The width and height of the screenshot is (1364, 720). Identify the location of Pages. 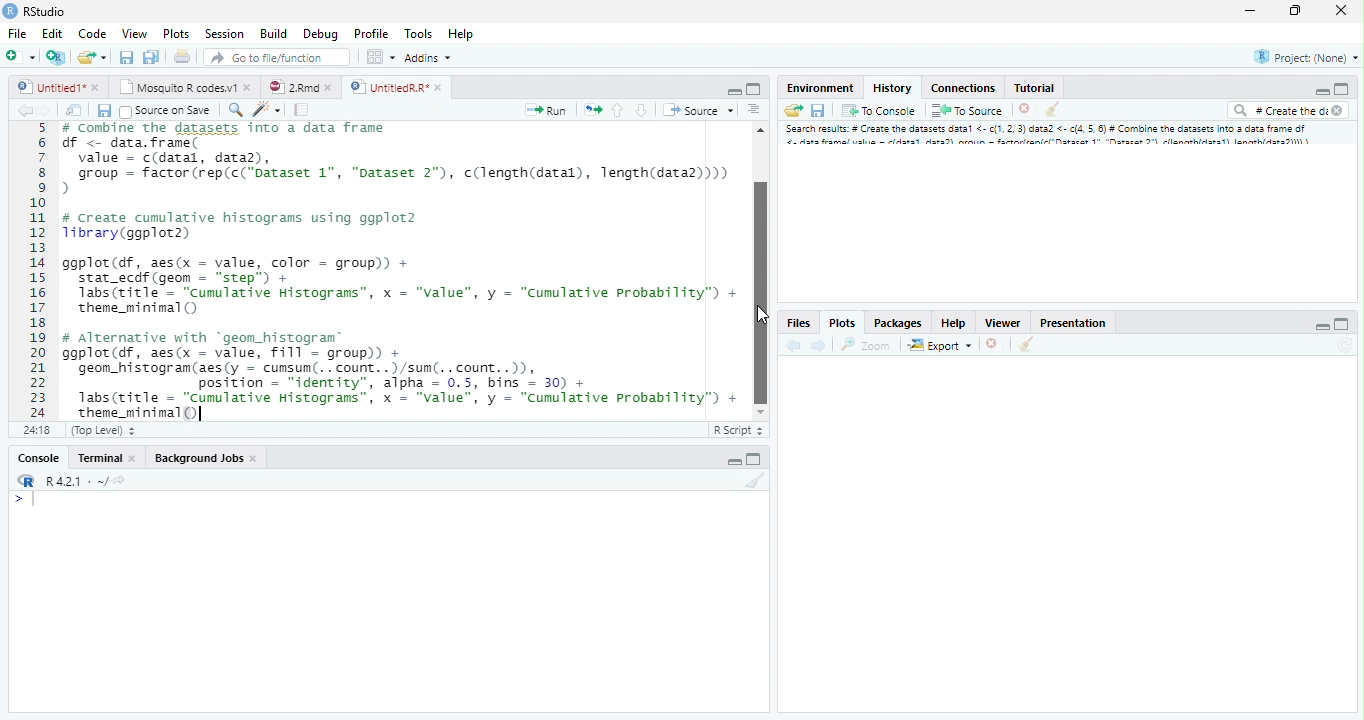
(300, 111).